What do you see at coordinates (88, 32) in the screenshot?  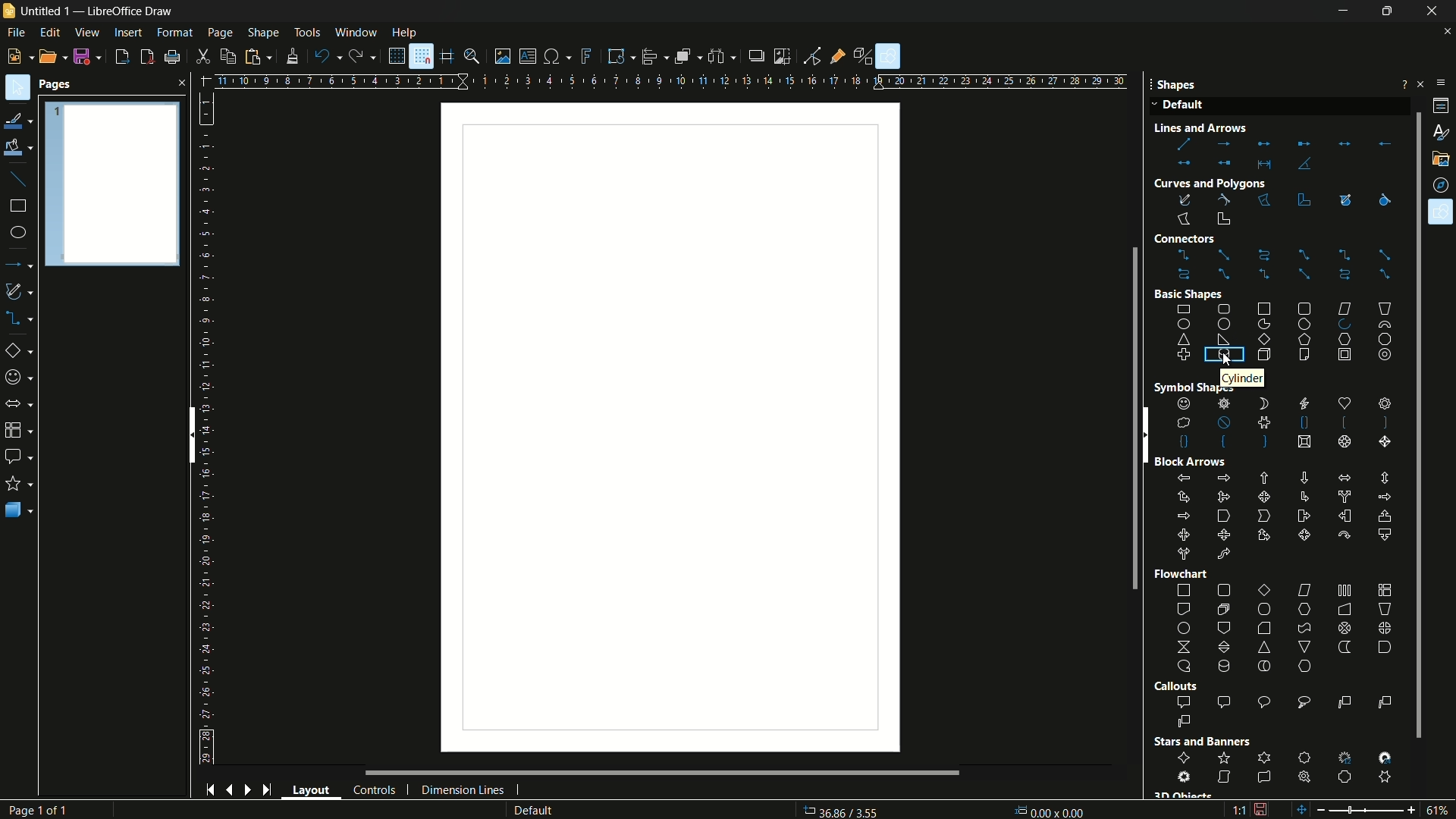 I see `view menu` at bounding box center [88, 32].